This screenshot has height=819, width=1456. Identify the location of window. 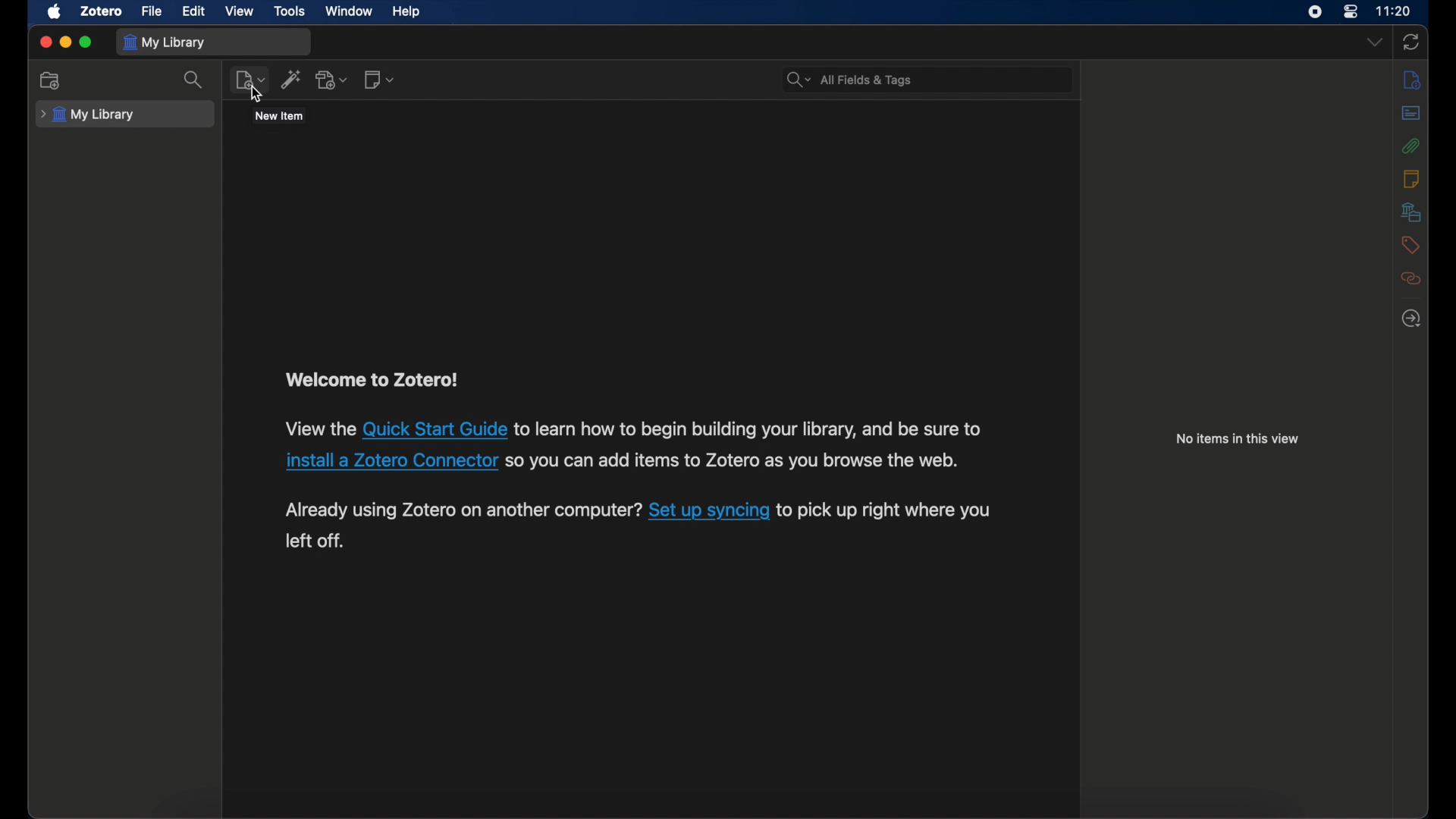
(350, 12).